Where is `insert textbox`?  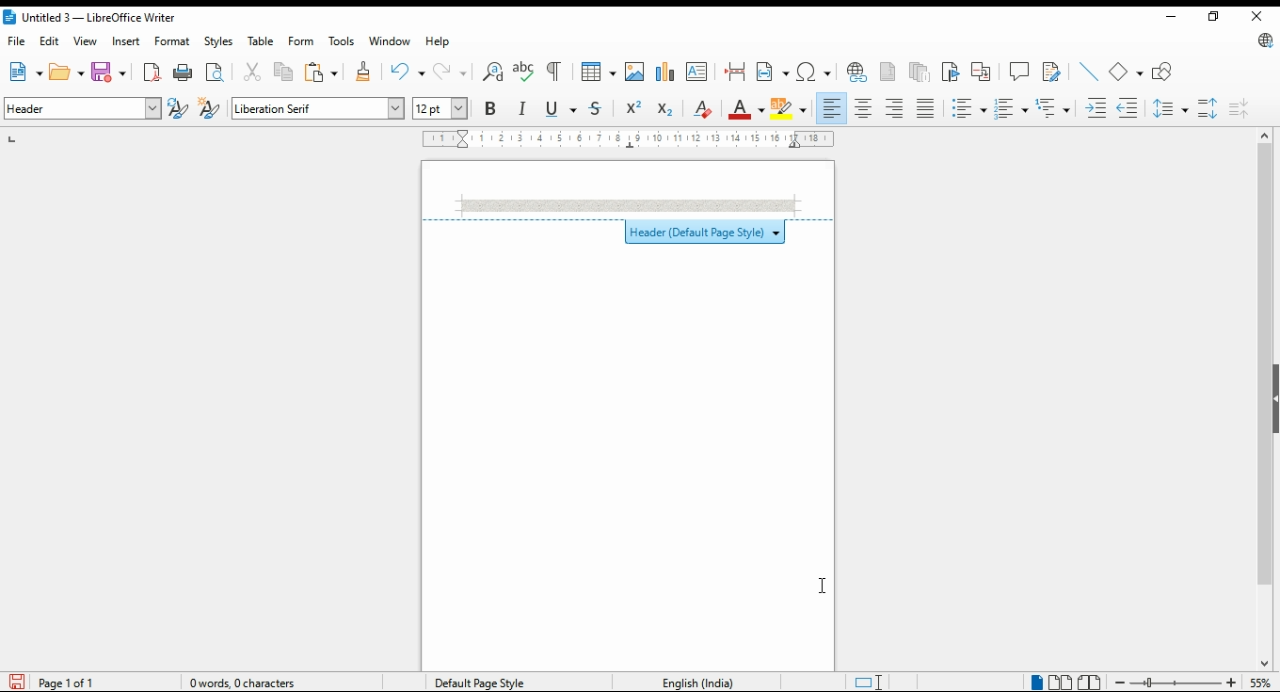 insert textbox is located at coordinates (697, 71).